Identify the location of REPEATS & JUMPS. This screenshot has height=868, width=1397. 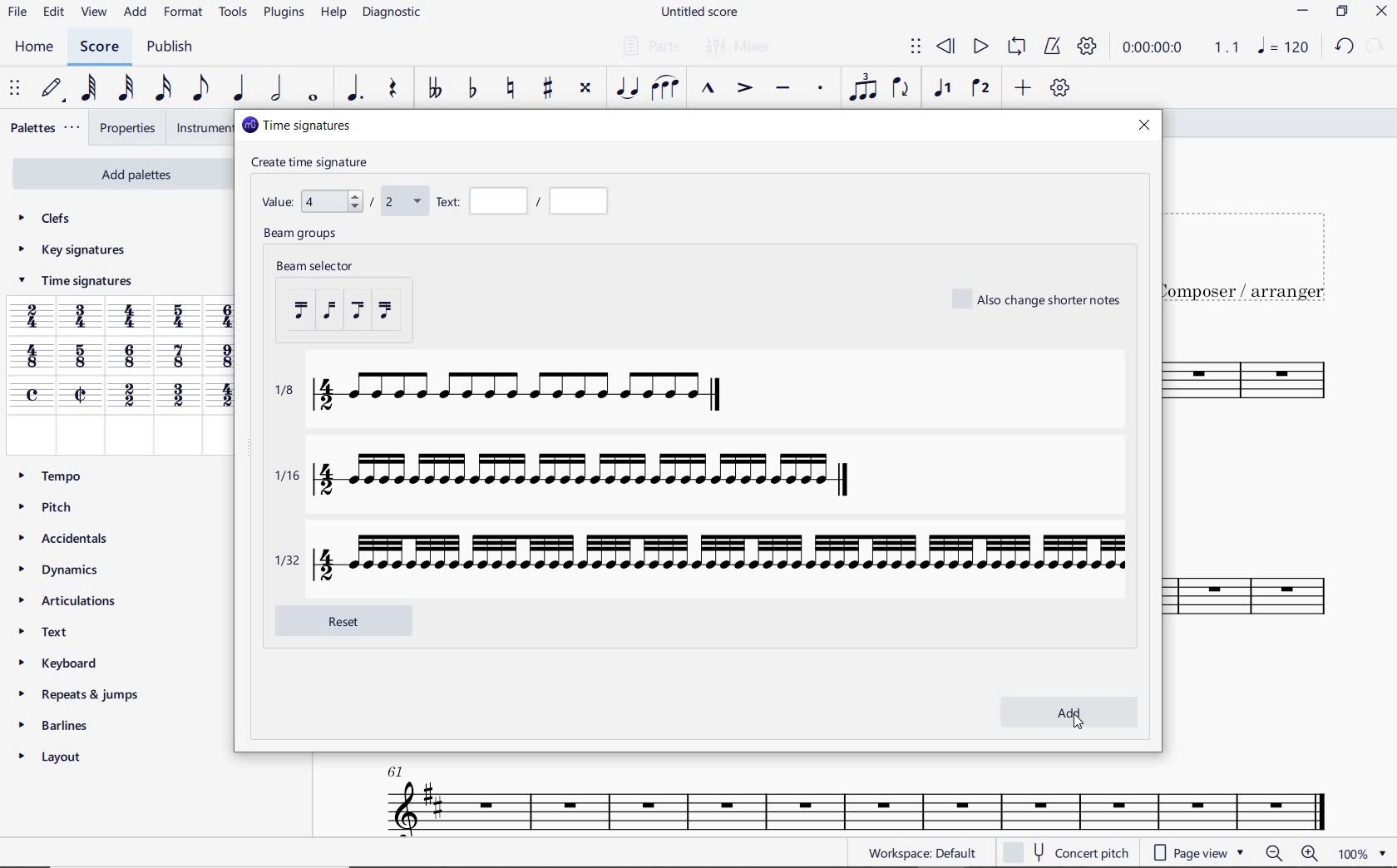
(86, 693).